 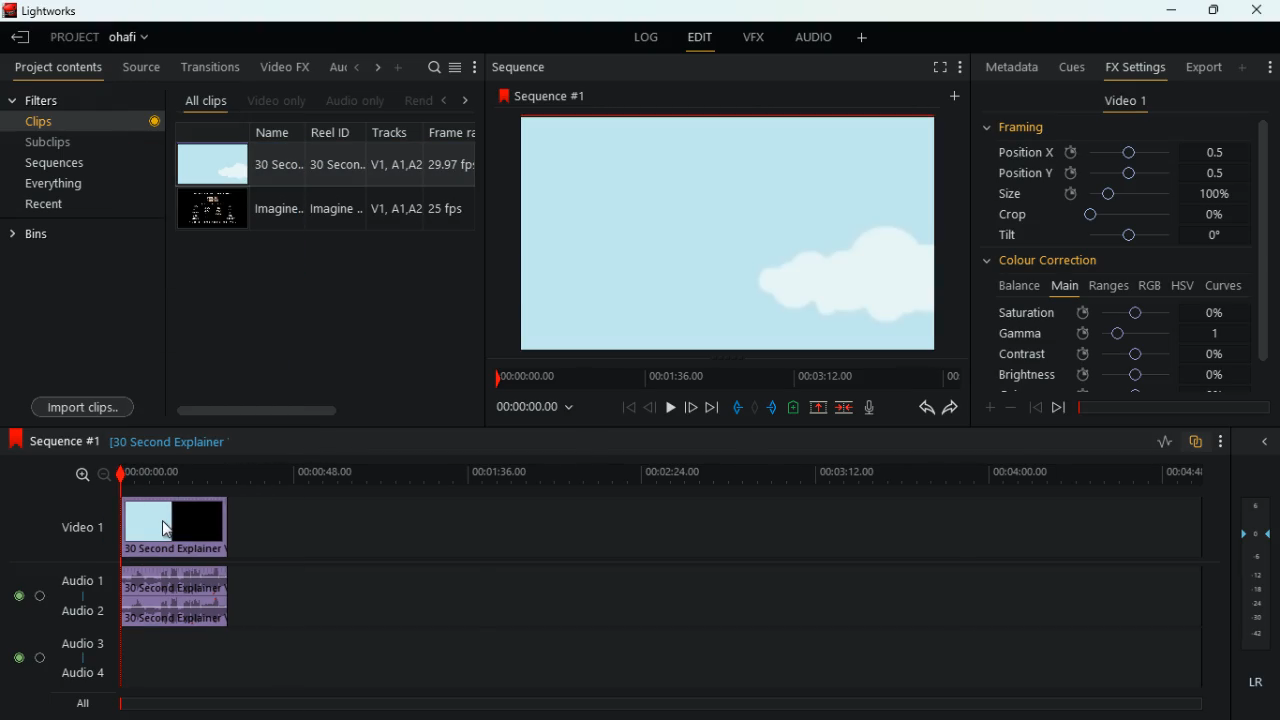 I want to click on project, so click(x=102, y=38).